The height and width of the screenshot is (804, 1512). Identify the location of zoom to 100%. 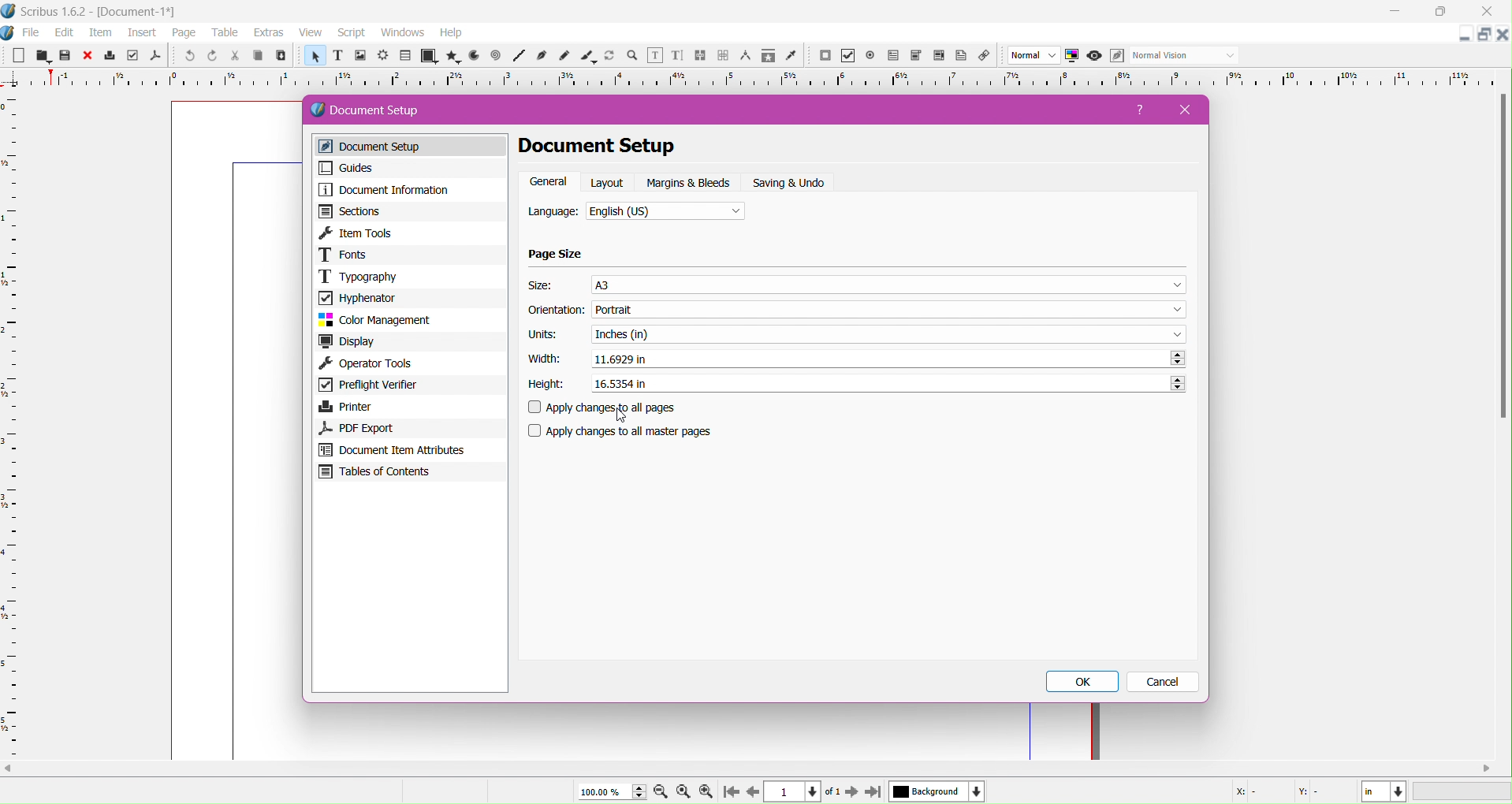
(685, 792).